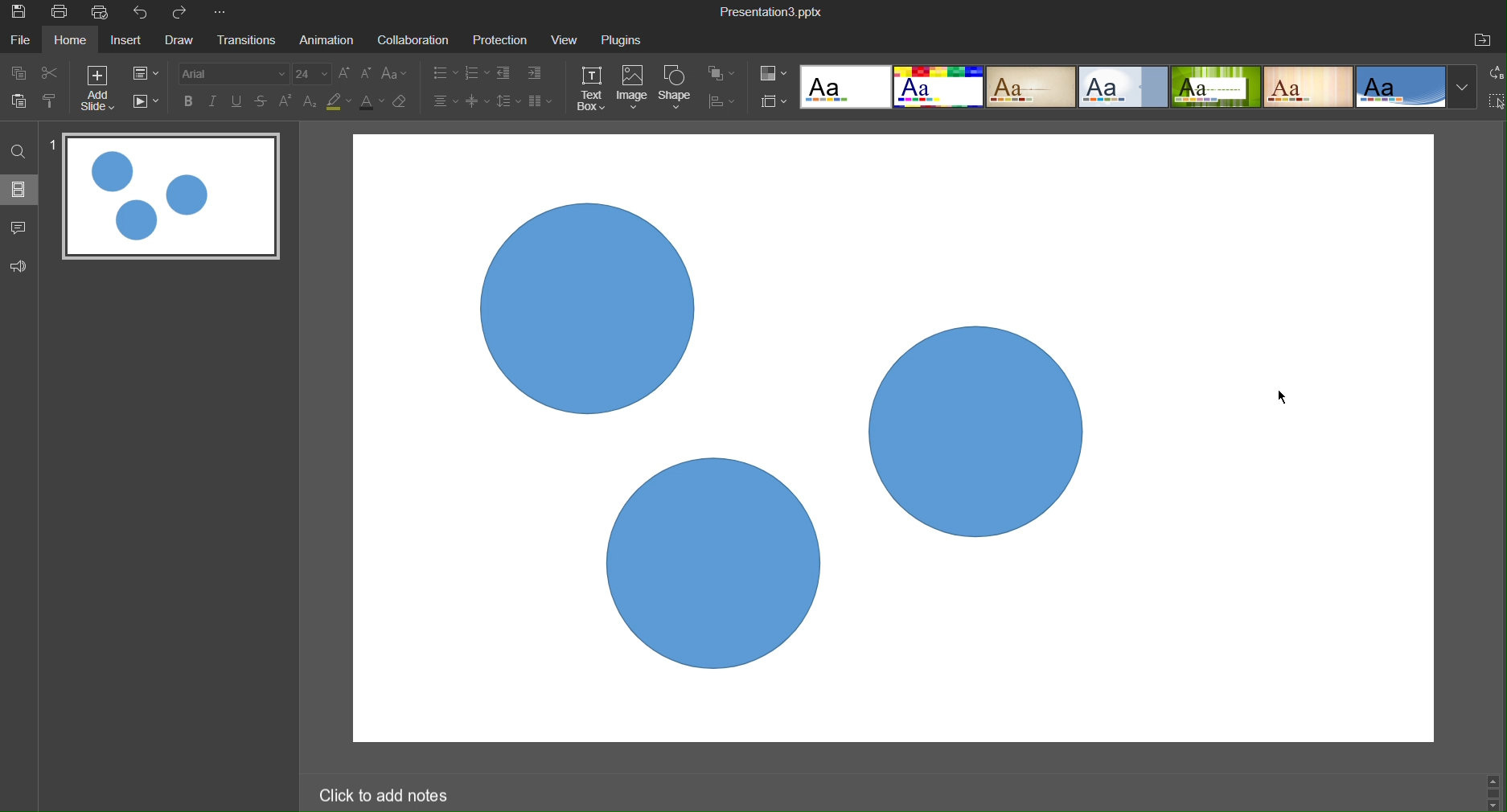 The width and height of the screenshot is (1507, 812). Describe the element at coordinates (216, 101) in the screenshot. I see `Italic` at that location.